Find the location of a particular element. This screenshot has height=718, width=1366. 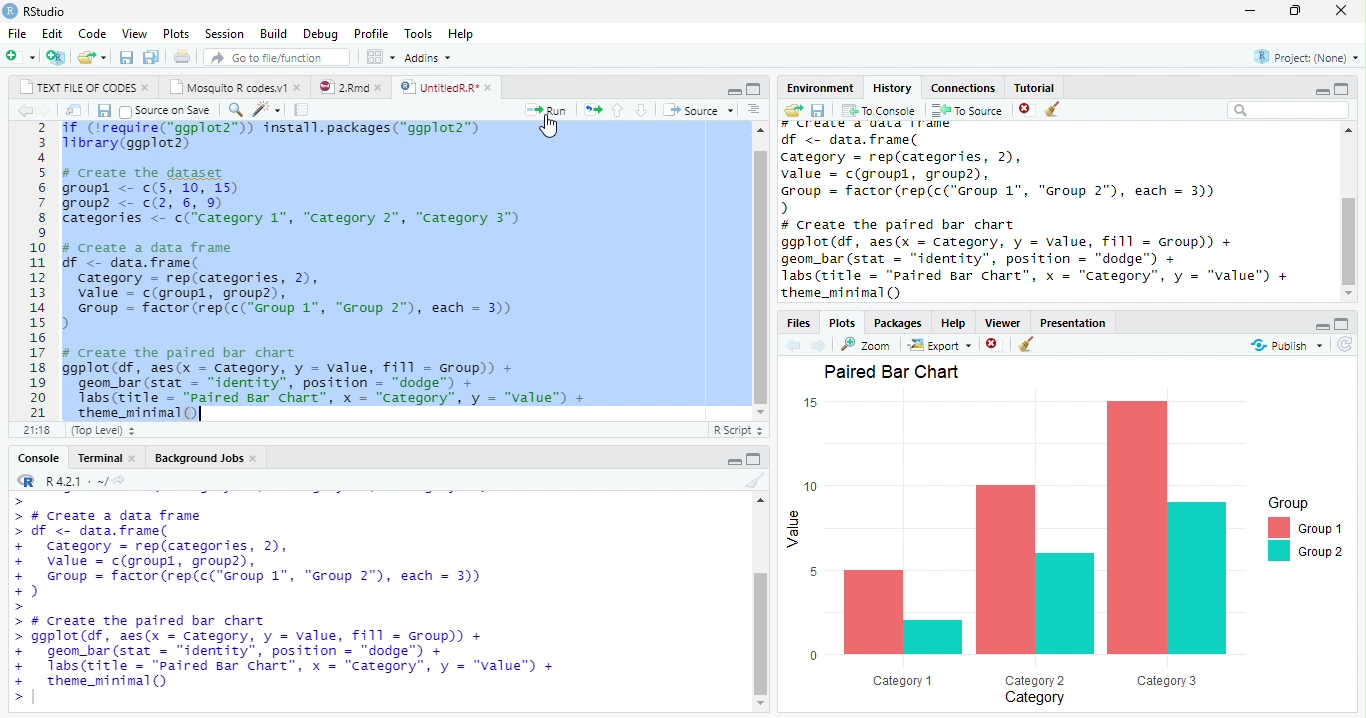

go to previous section is located at coordinates (619, 110).